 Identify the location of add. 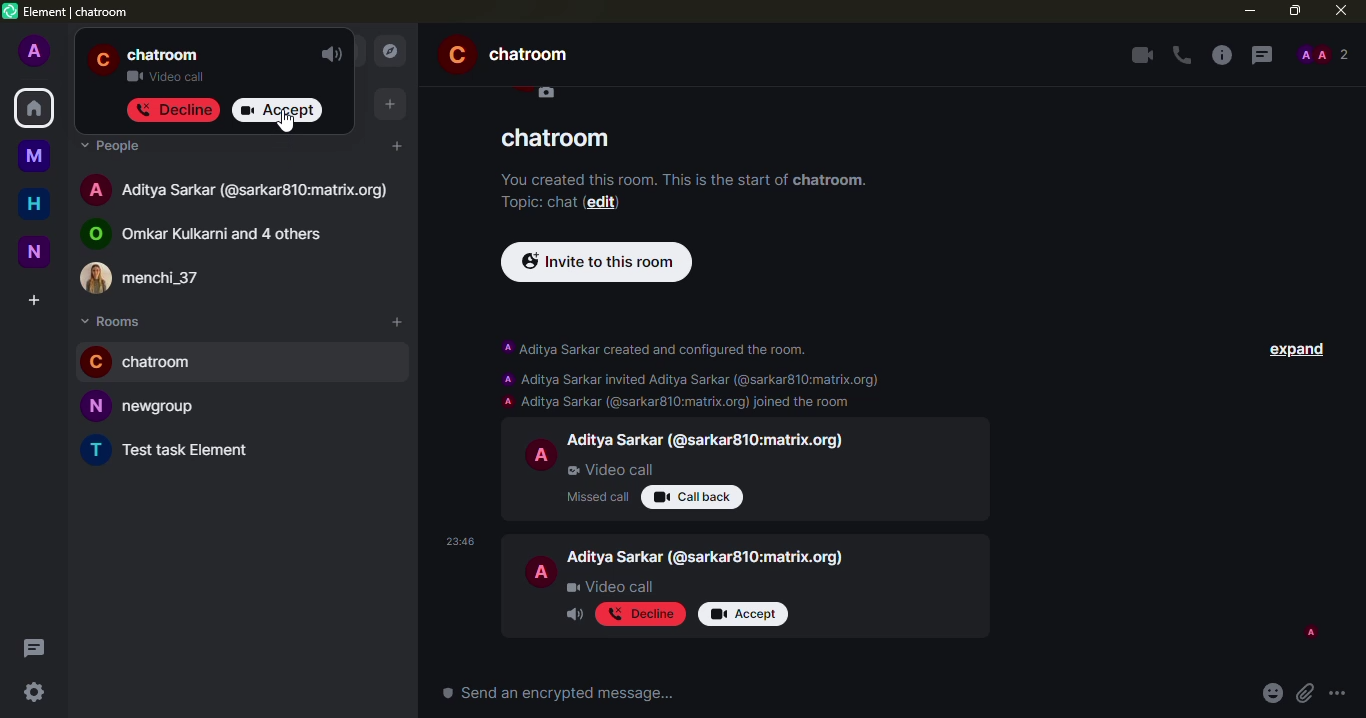
(398, 144).